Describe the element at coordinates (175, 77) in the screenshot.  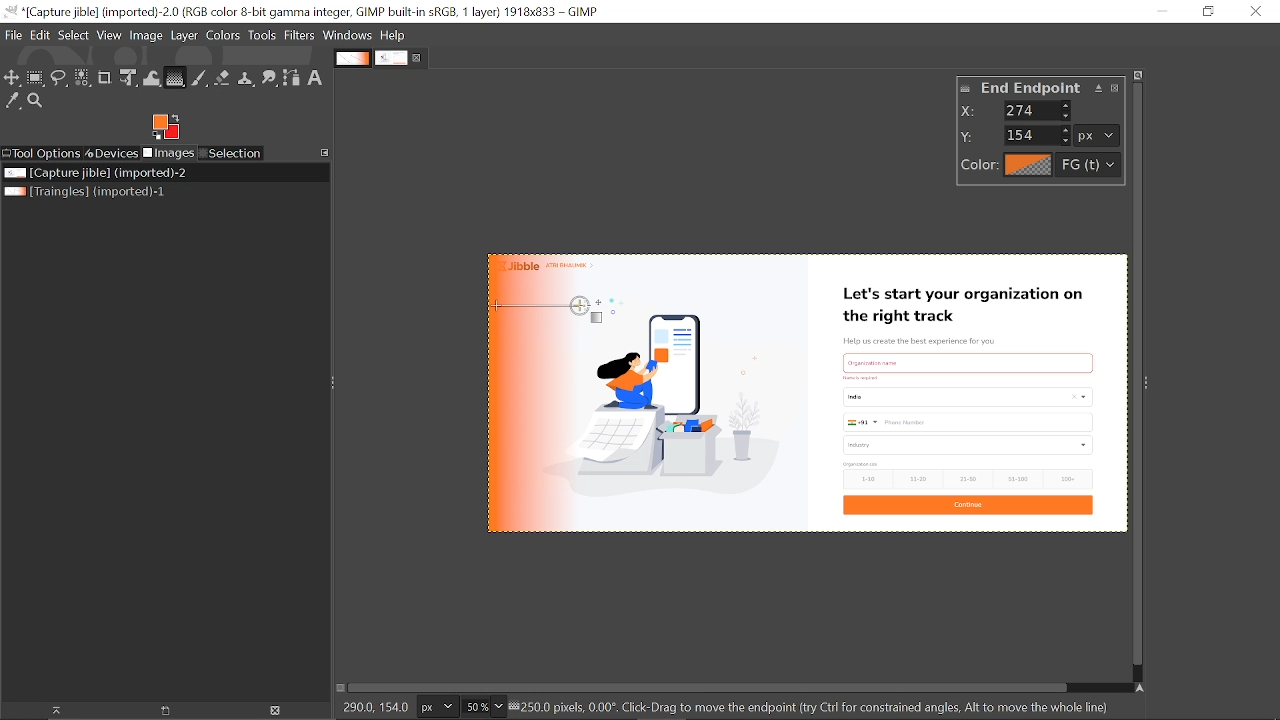
I see `Gradient tool` at that location.